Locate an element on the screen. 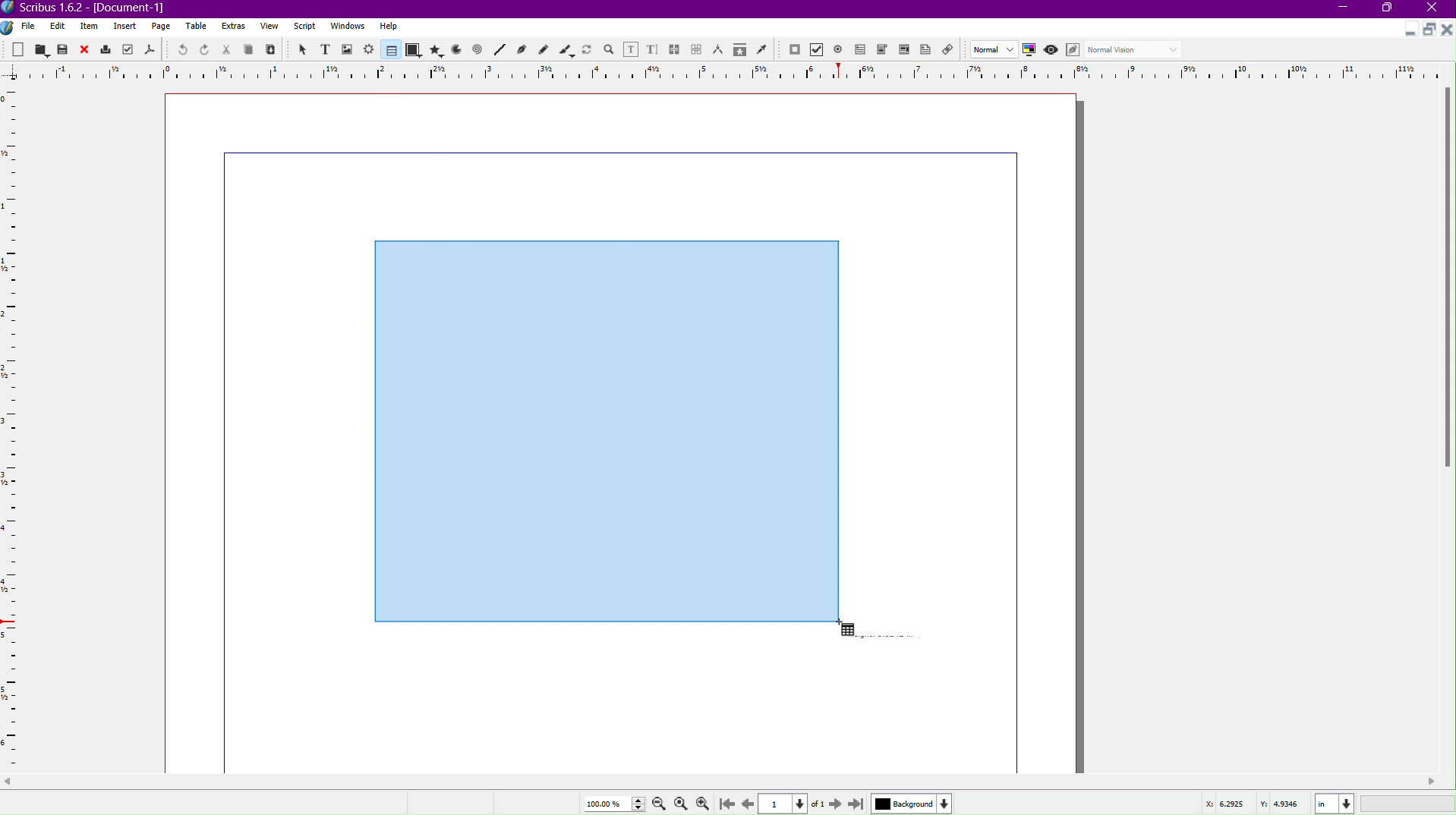  Last Page is located at coordinates (857, 803).